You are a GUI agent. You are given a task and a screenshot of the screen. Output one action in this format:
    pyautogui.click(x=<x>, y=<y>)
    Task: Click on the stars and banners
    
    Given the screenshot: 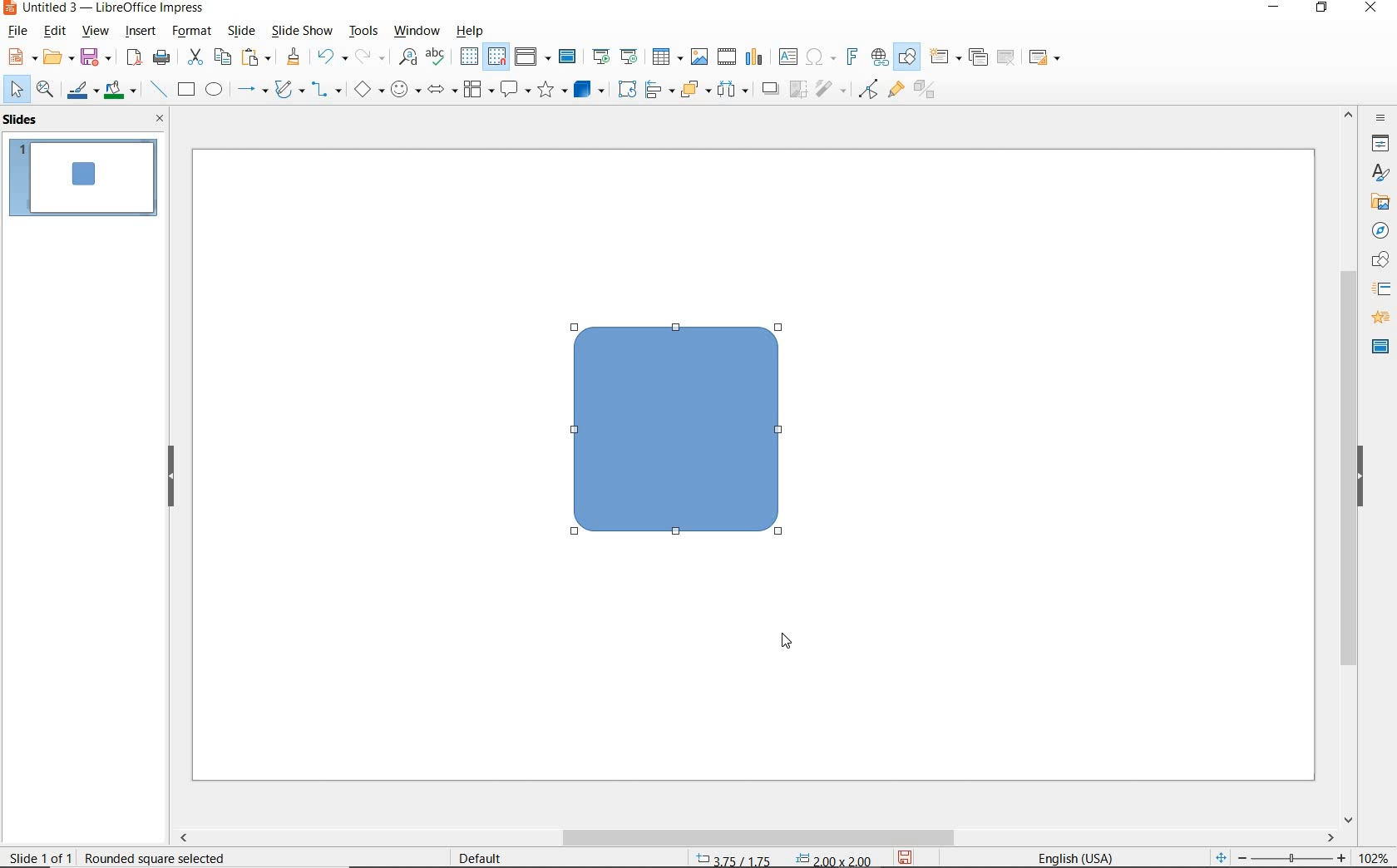 What is the action you would take?
    pyautogui.click(x=550, y=91)
    